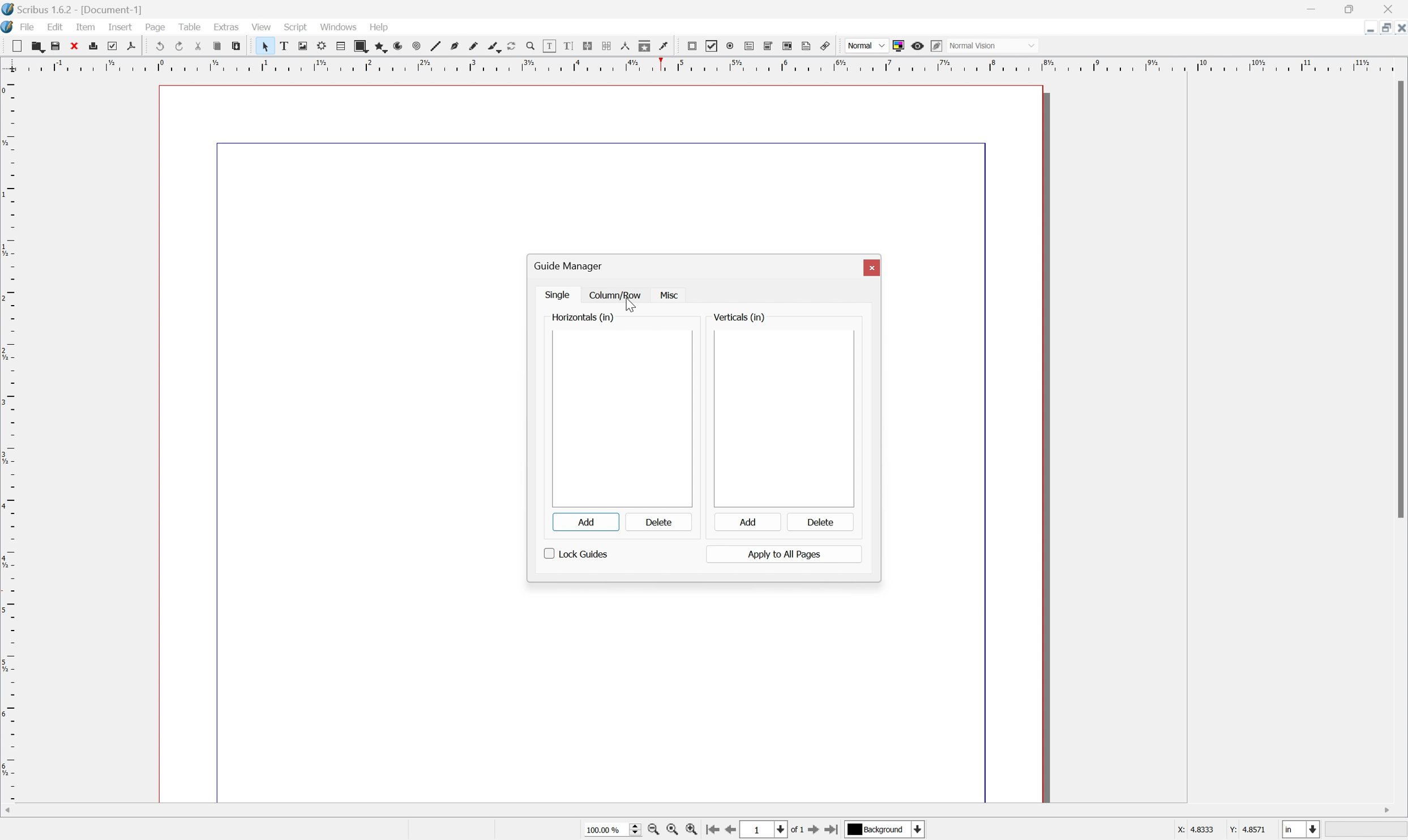  I want to click on scribus icon, so click(9, 28).